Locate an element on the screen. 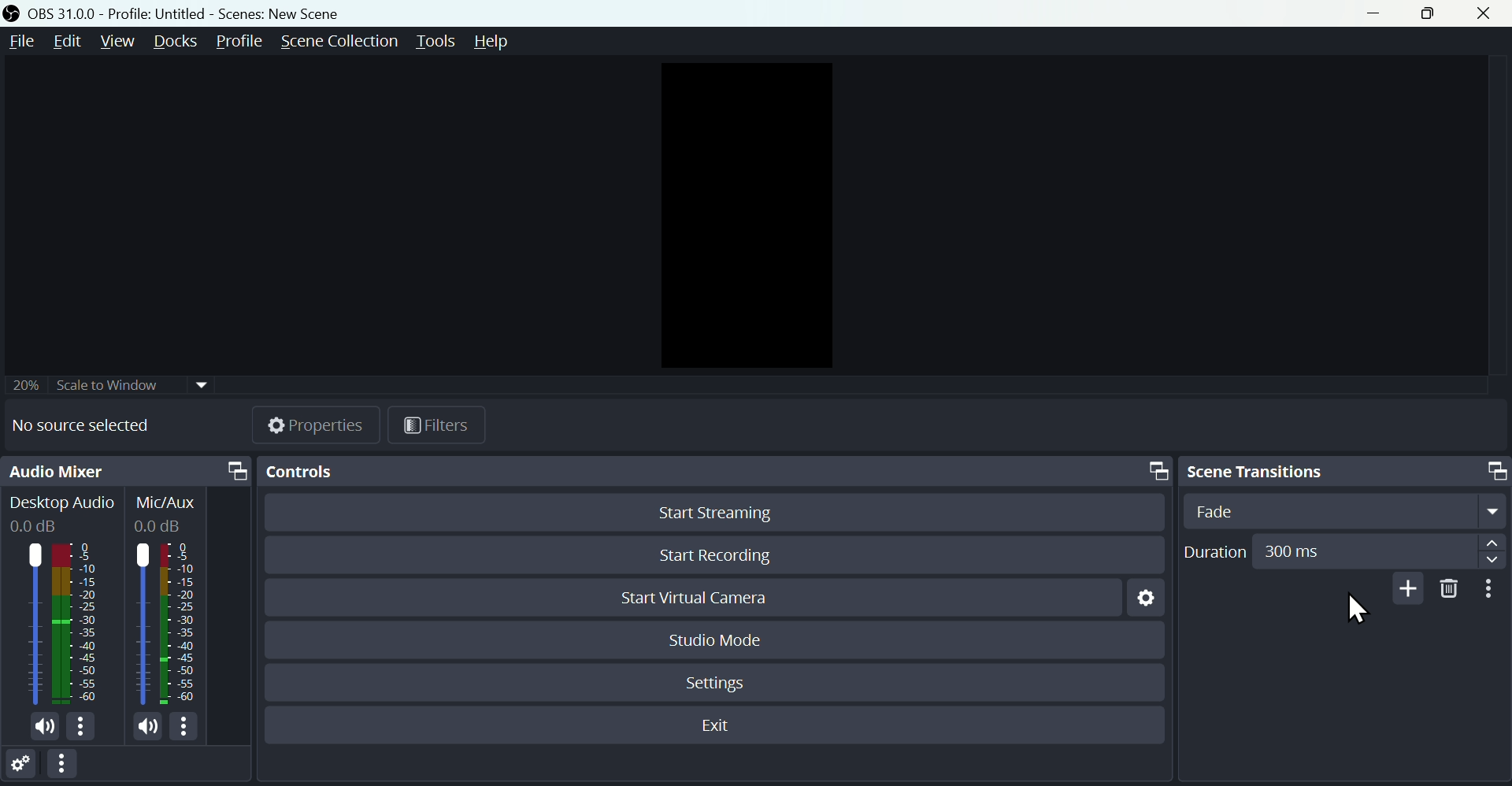 The width and height of the screenshot is (1512, 786).  is located at coordinates (439, 425).